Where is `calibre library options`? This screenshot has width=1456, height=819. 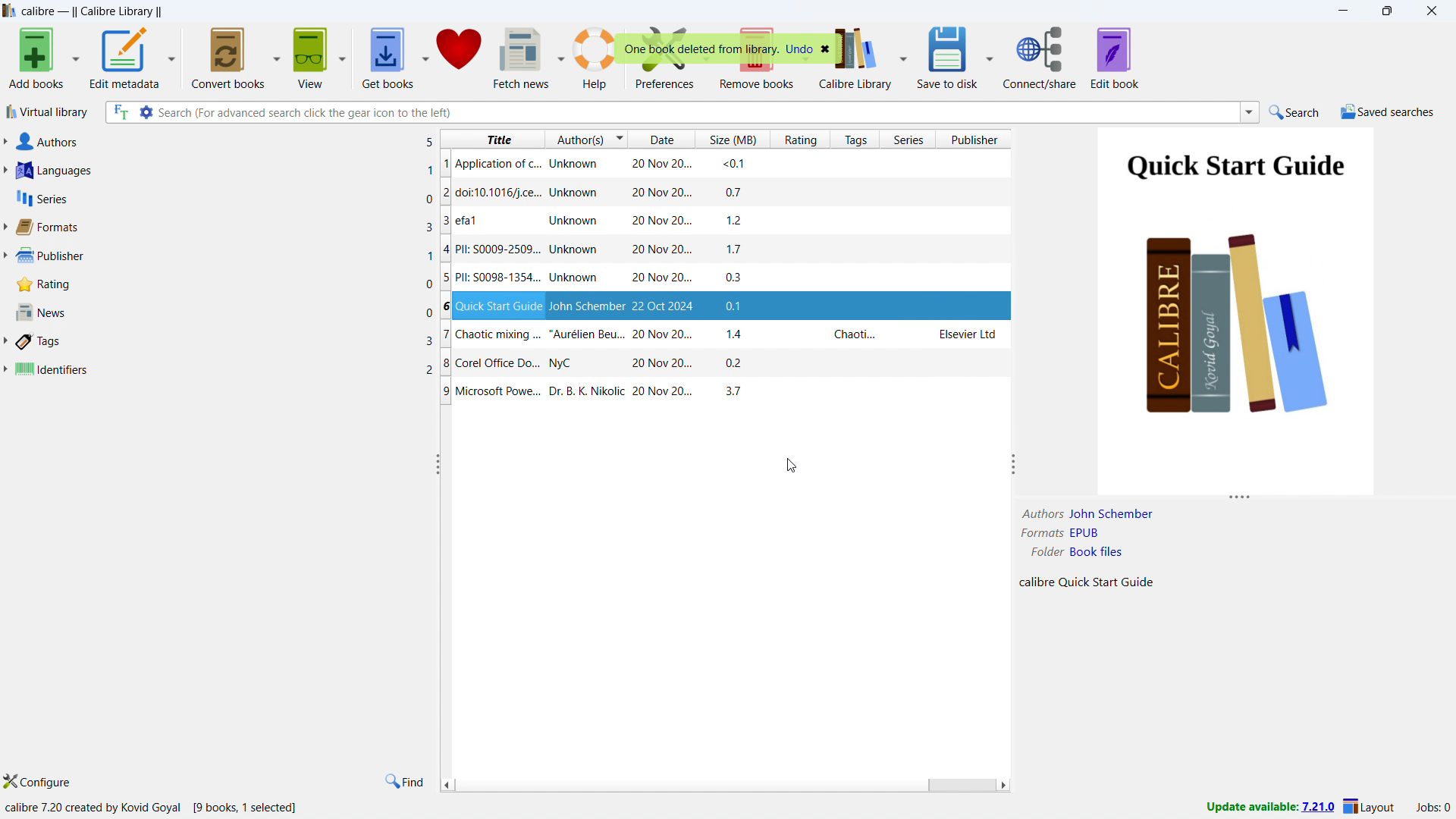
calibre library options is located at coordinates (902, 56).